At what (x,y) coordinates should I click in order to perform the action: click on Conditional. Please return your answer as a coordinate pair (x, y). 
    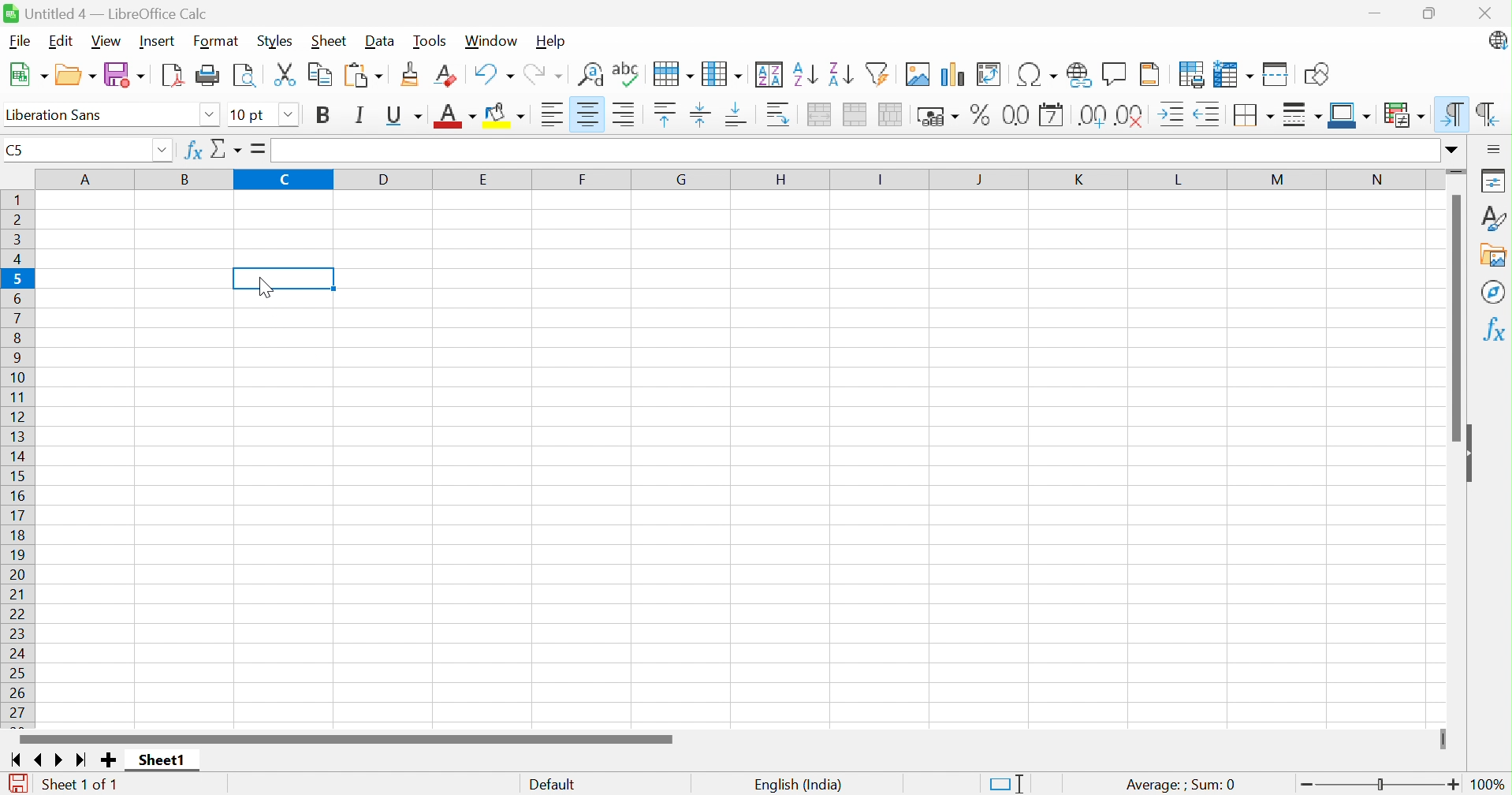
    Looking at the image, I should click on (1401, 112).